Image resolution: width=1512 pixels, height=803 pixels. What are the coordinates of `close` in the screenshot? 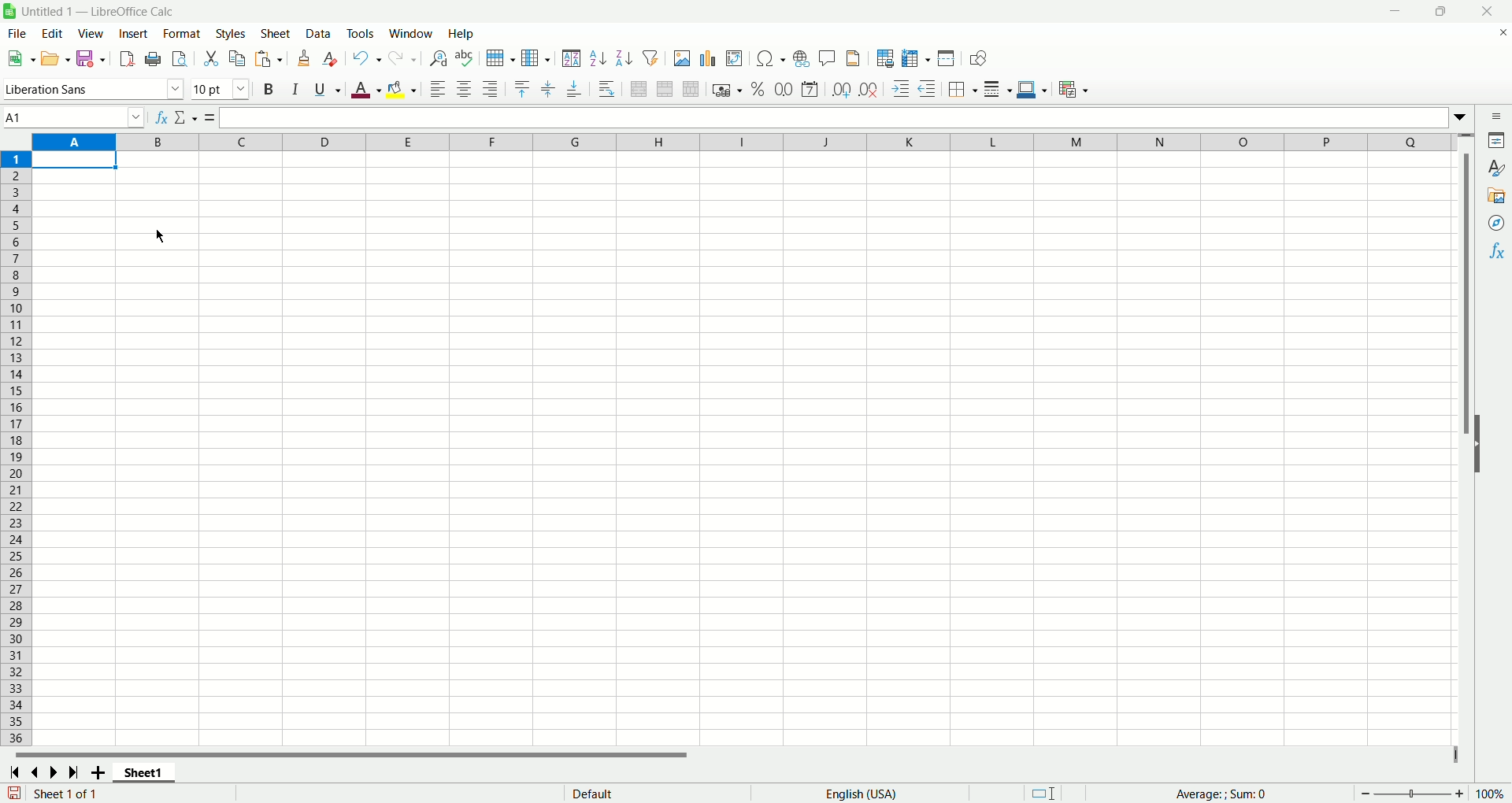 It's located at (1499, 35).